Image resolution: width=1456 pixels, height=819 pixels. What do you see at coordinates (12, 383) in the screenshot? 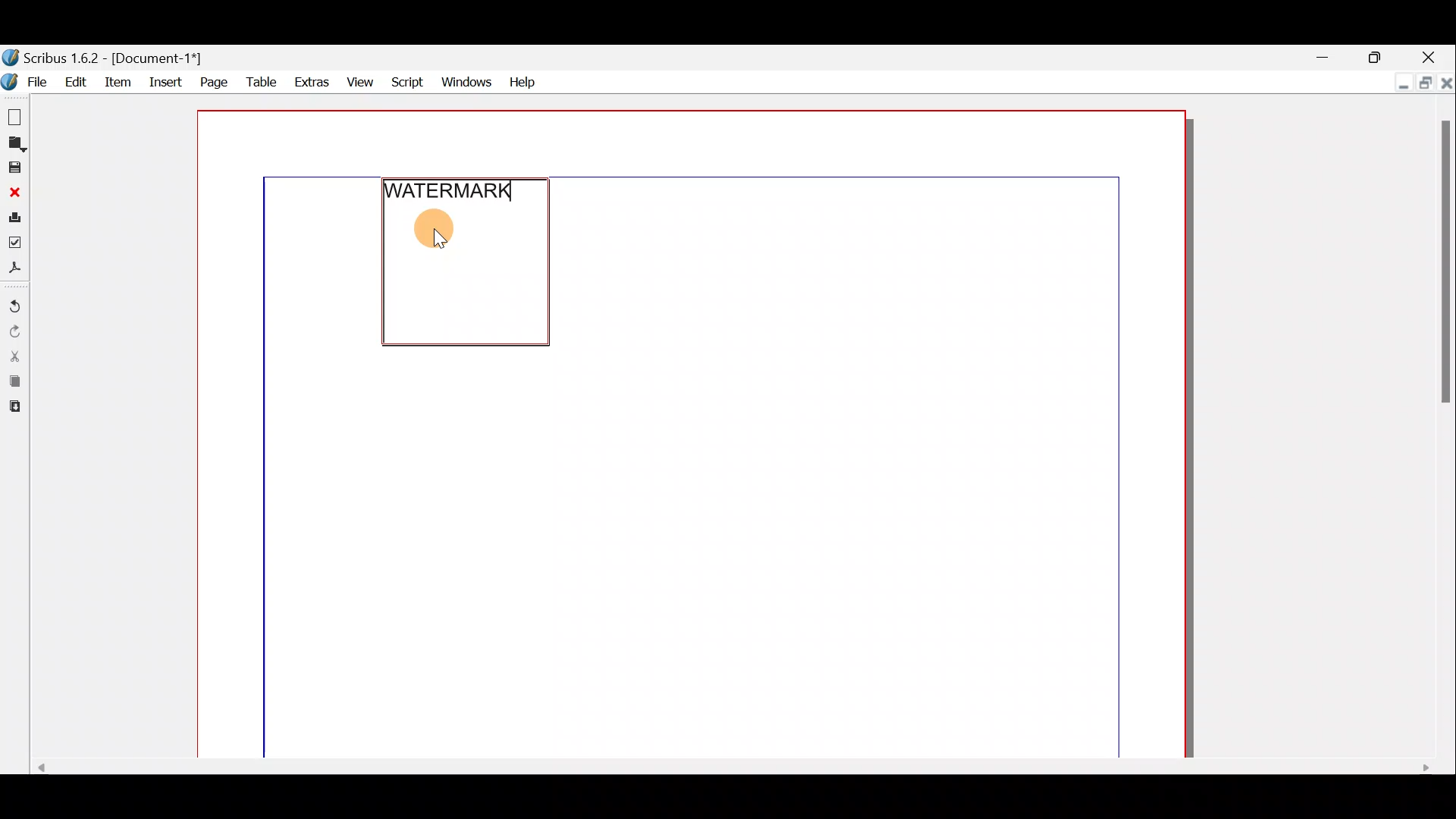
I see `Copy` at bounding box center [12, 383].